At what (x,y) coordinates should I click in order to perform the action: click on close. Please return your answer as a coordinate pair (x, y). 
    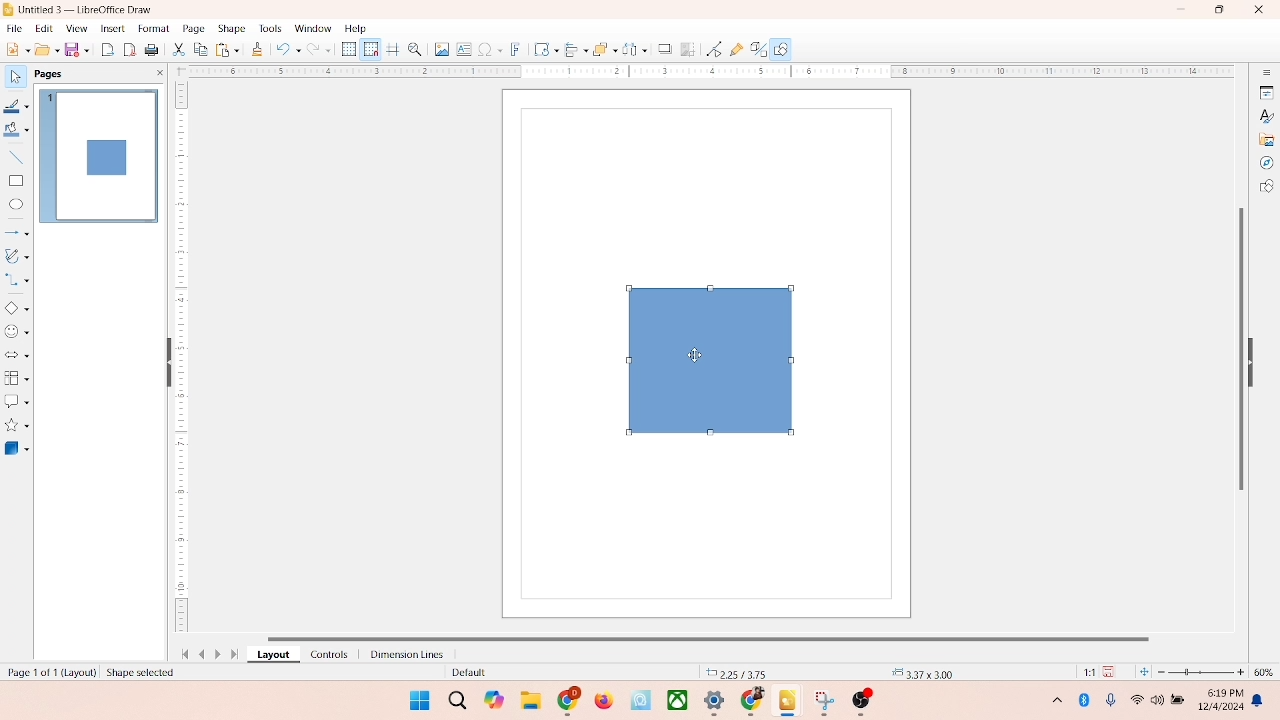
    Looking at the image, I should click on (1254, 11).